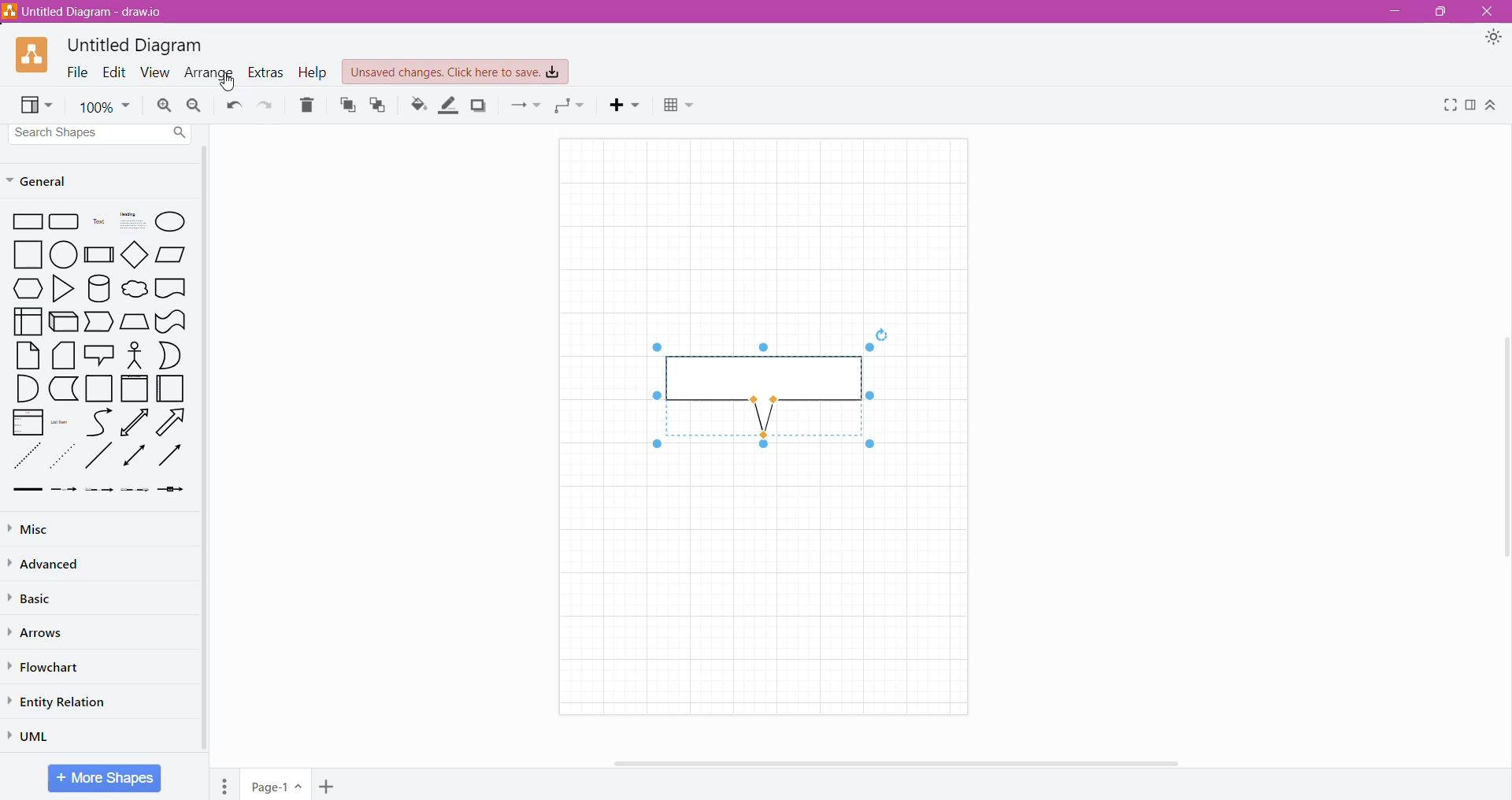 This screenshot has width=1512, height=800. Describe the element at coordinates (456, 72) in the screenshot. I see `Unsaved Changes. Click here to save` at that location.